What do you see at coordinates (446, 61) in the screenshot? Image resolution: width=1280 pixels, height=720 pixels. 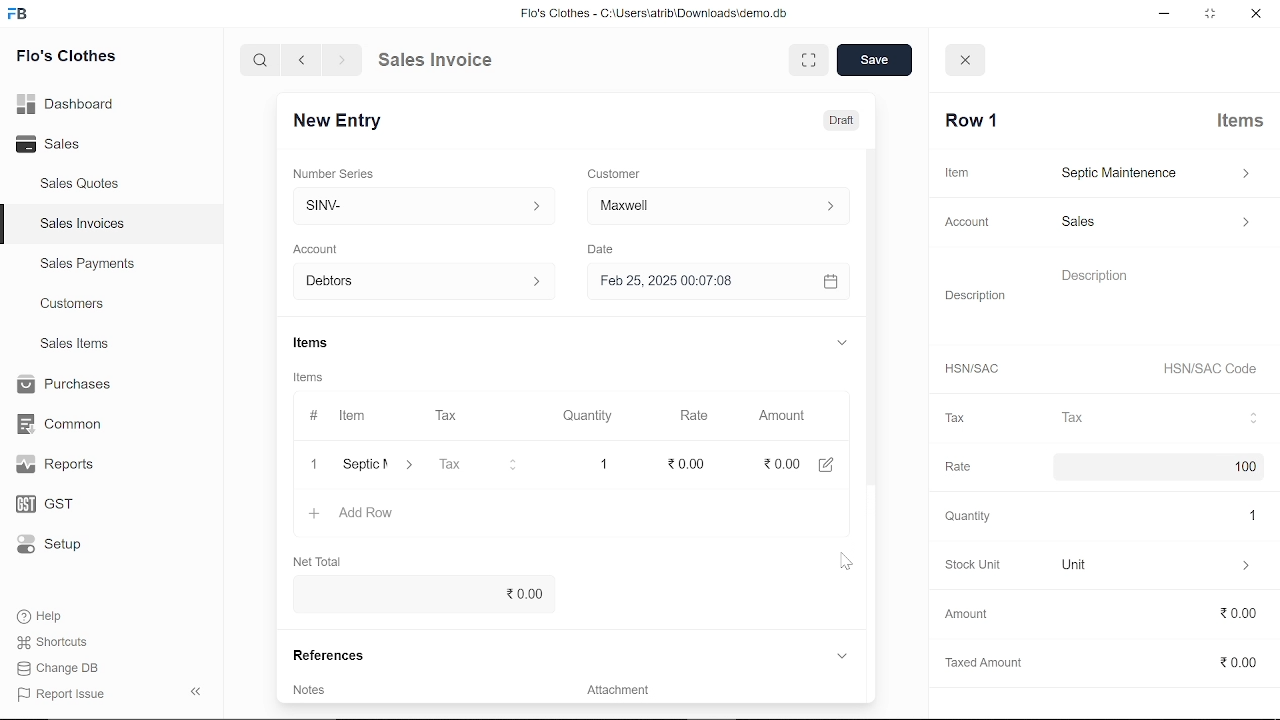 I see ` Sales Invoice` at bounding box center [446, 61].